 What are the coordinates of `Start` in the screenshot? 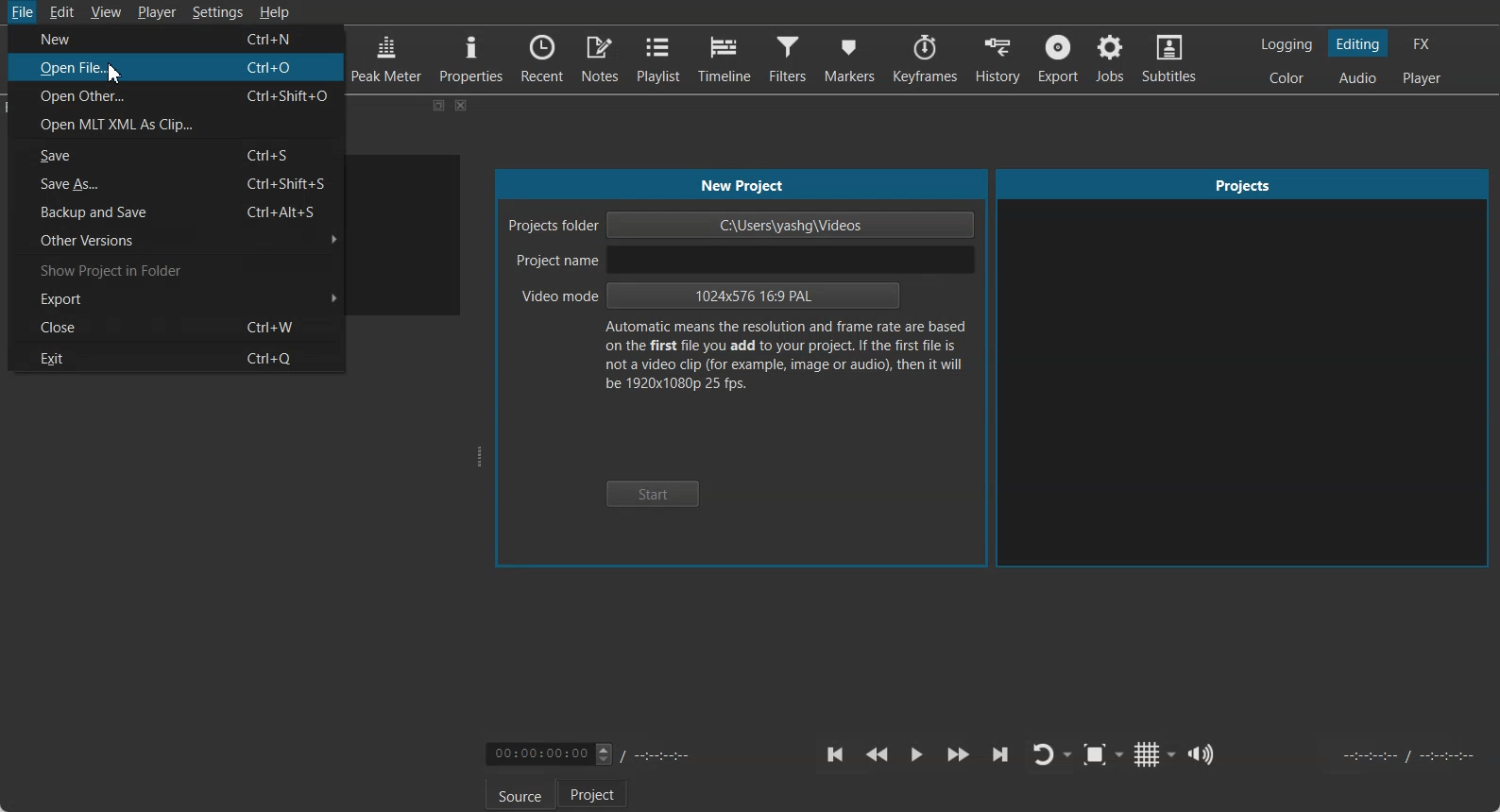 It's located at (653, 495).